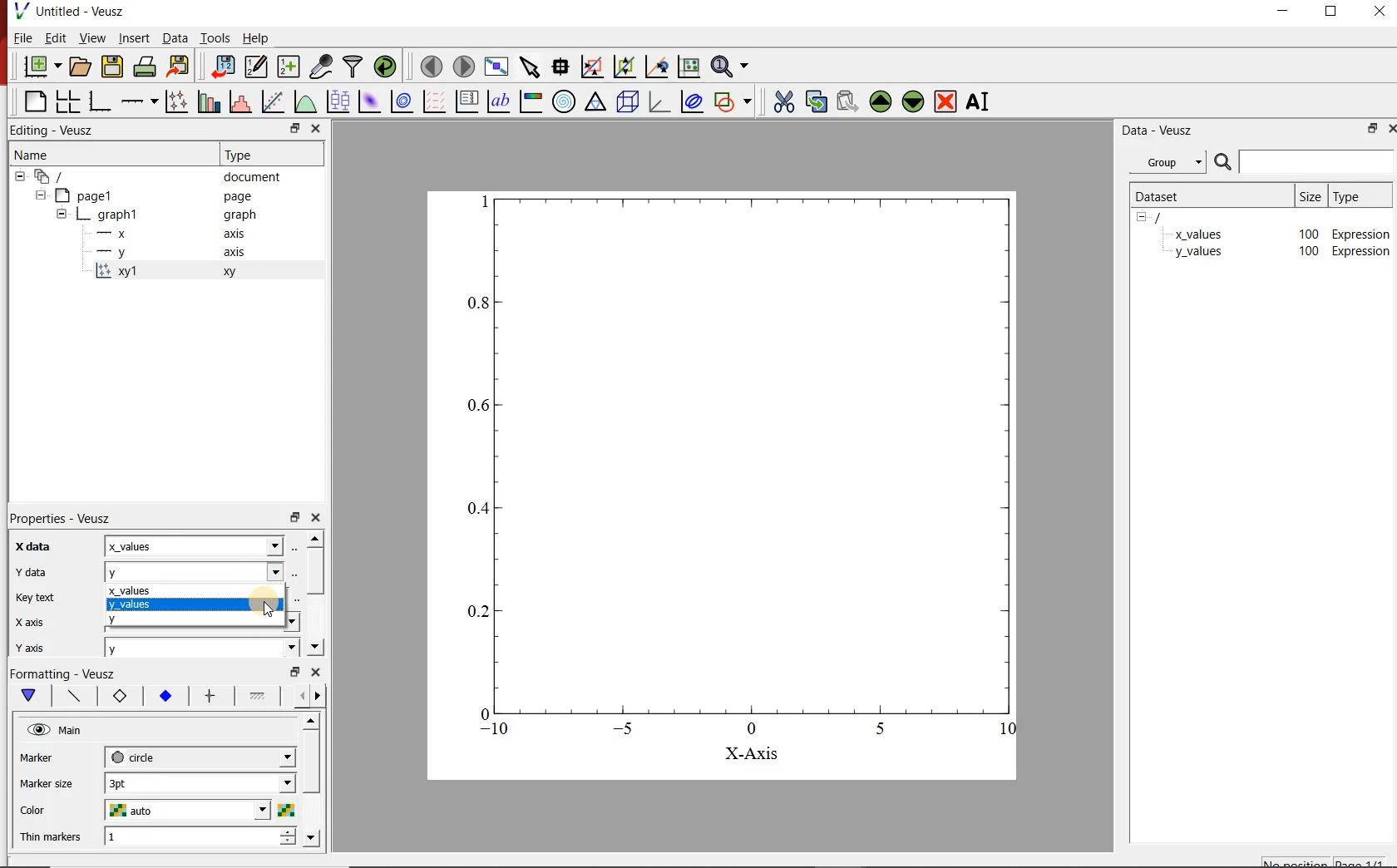  Describe the element at coordinates (140, 101) in the screenshot. I see `add axis on the plot` at that location.